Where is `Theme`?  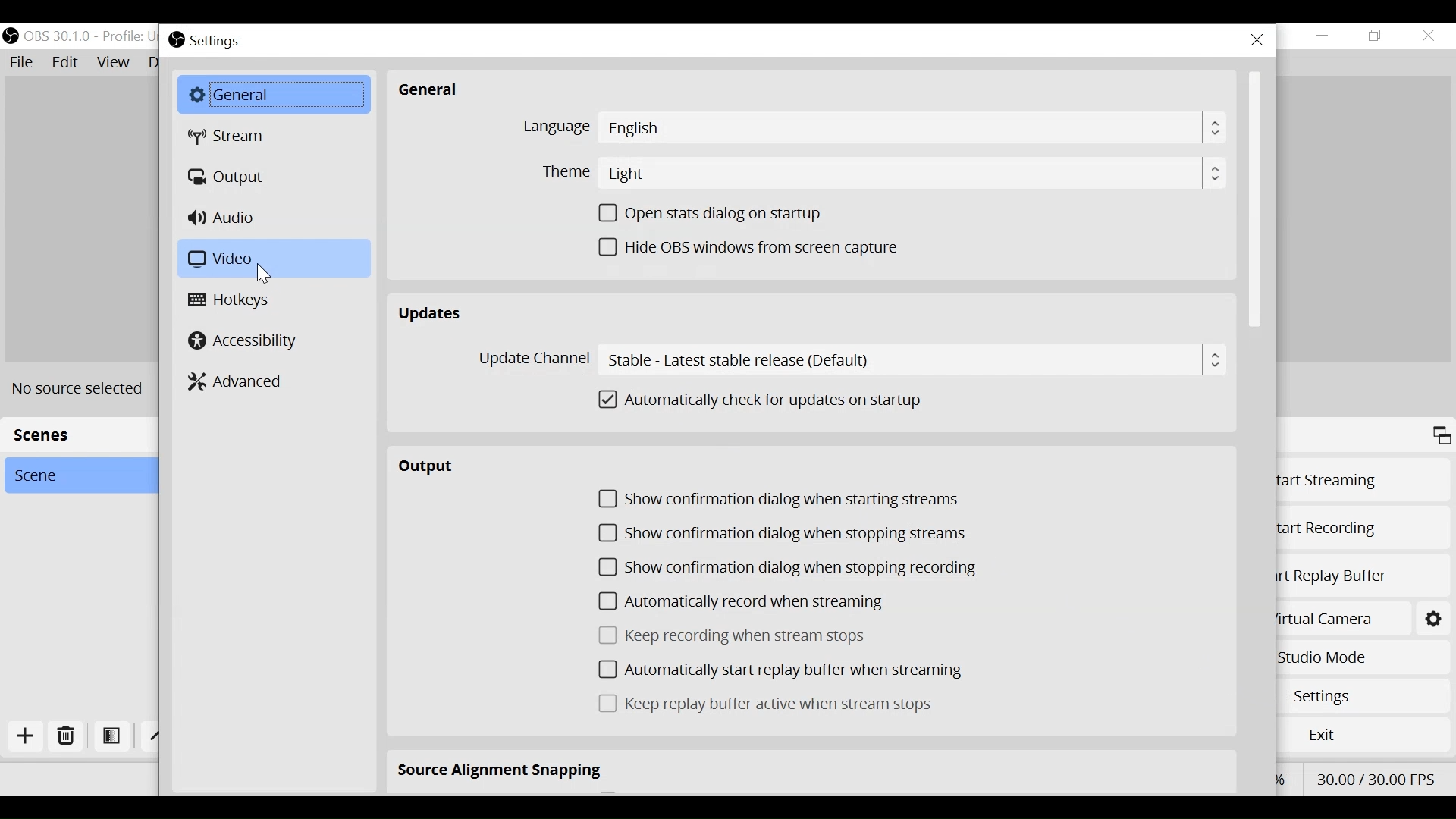
Theme is located at coordinates (566, 171).